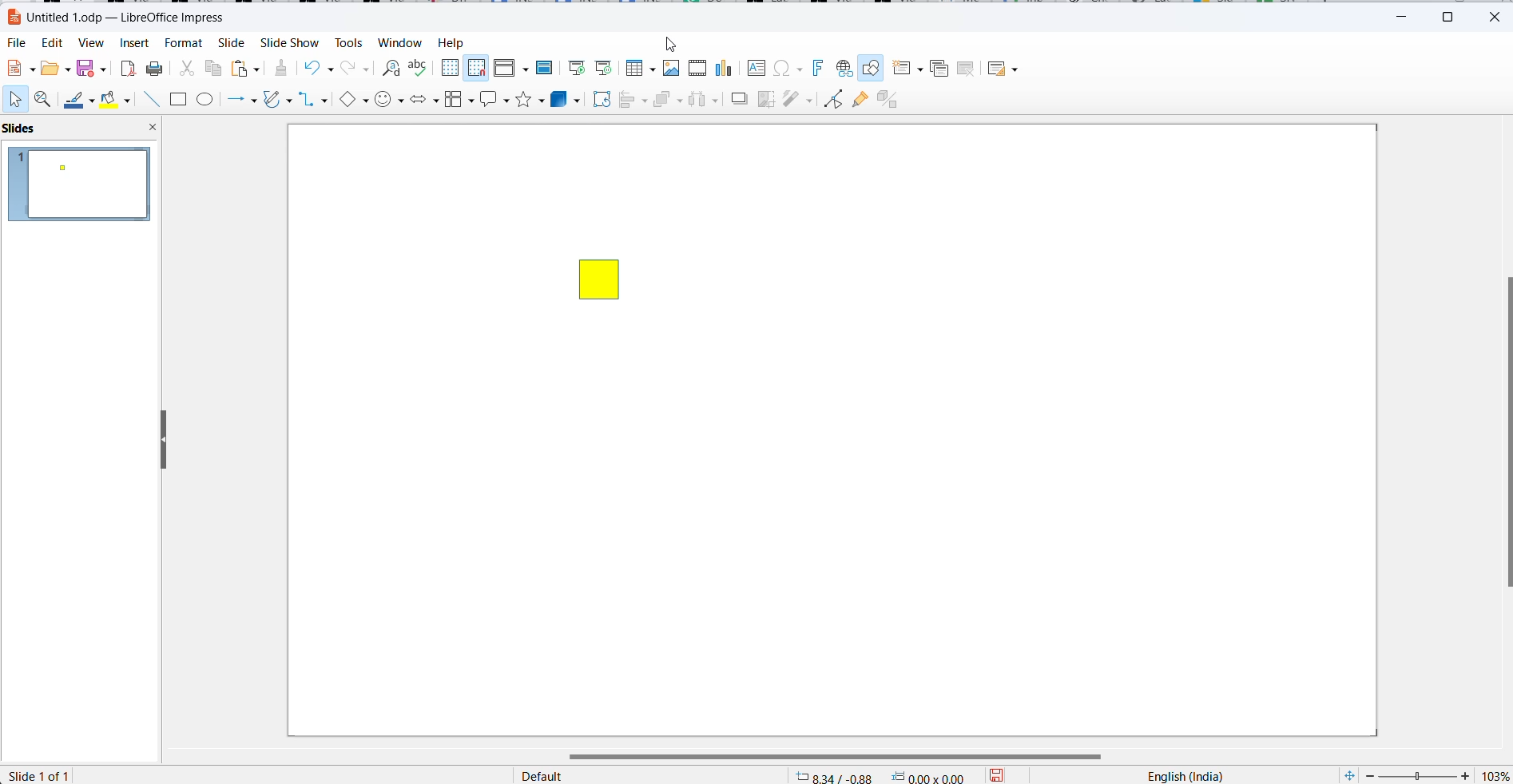 The width and height of the screenshot is (1513, 784). Describe the element at coordinates (1495, 16) in the screenshot. I see `close` at that location.